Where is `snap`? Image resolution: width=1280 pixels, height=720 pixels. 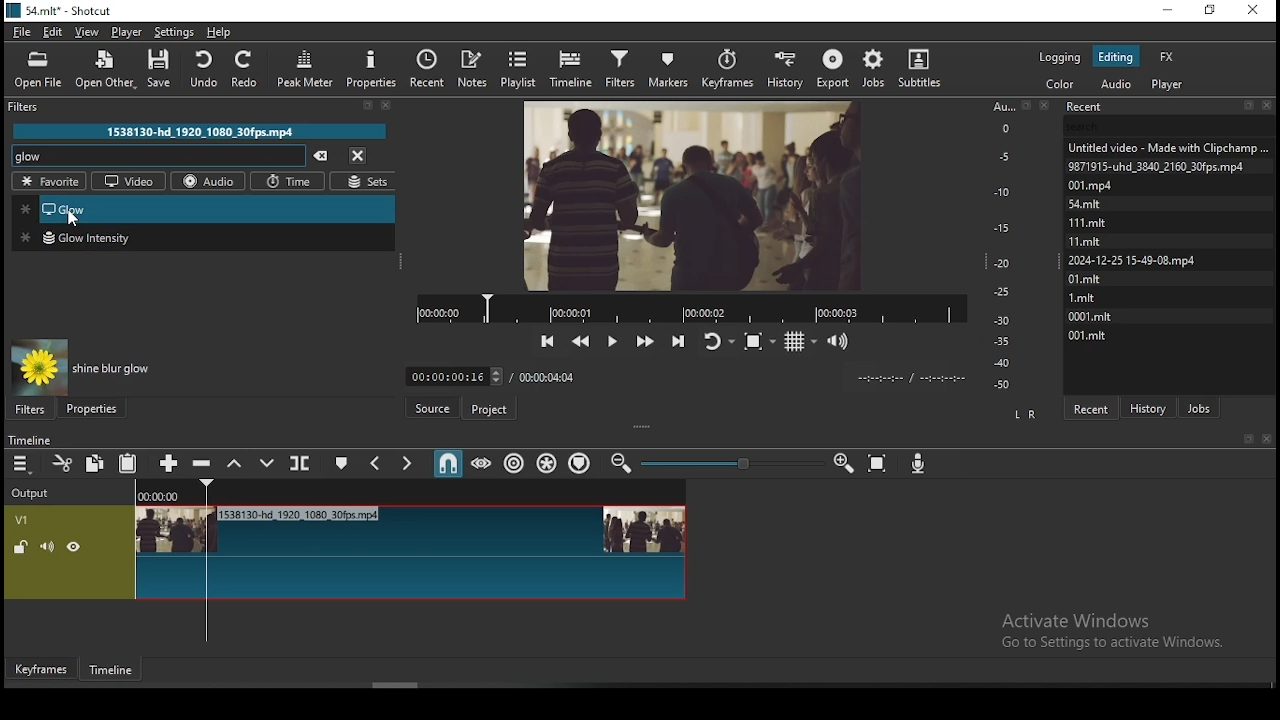
snap is located at coordinates (447, 464).